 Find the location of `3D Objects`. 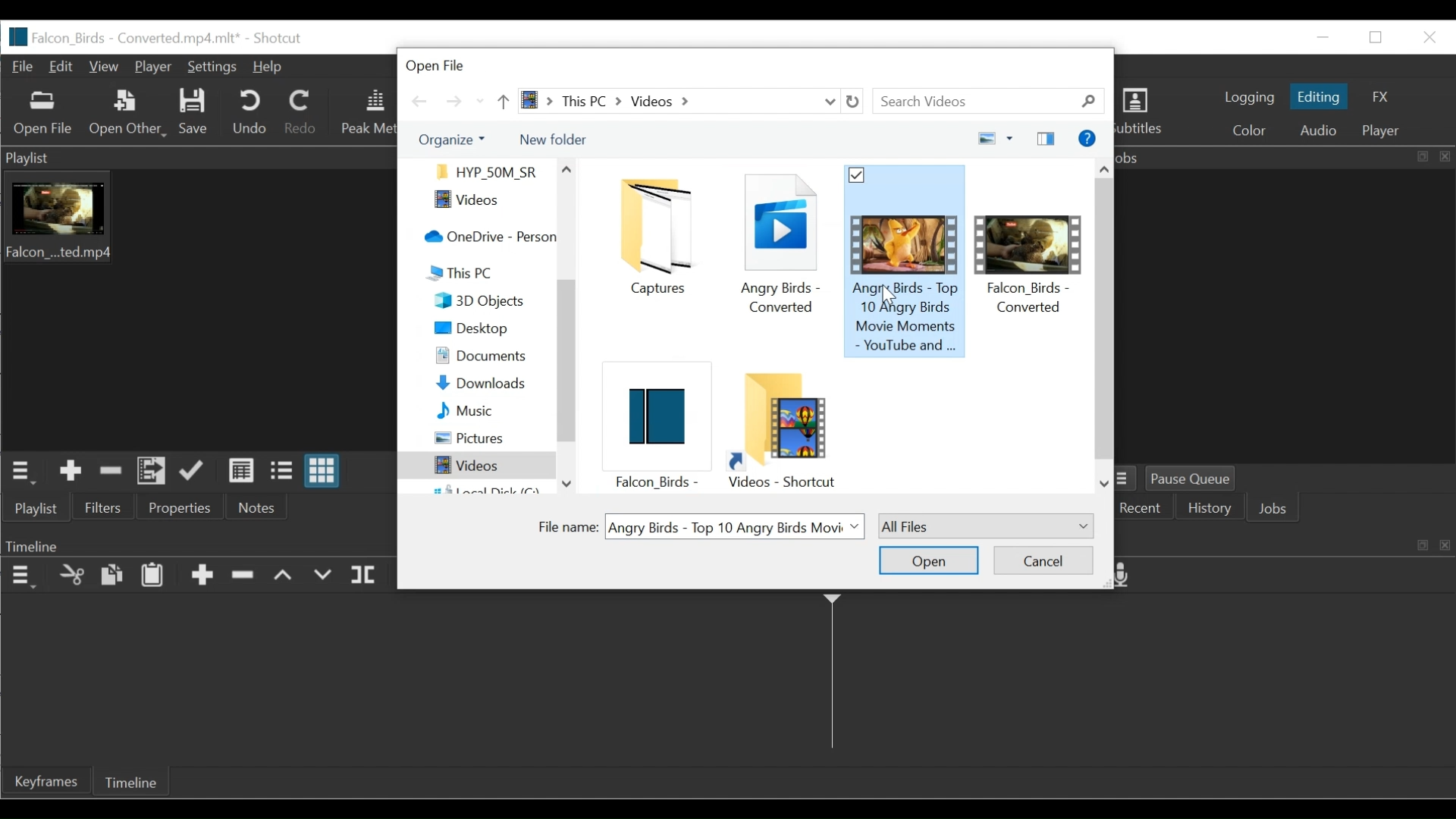

3D Objects is located at coordinates (483, 301).